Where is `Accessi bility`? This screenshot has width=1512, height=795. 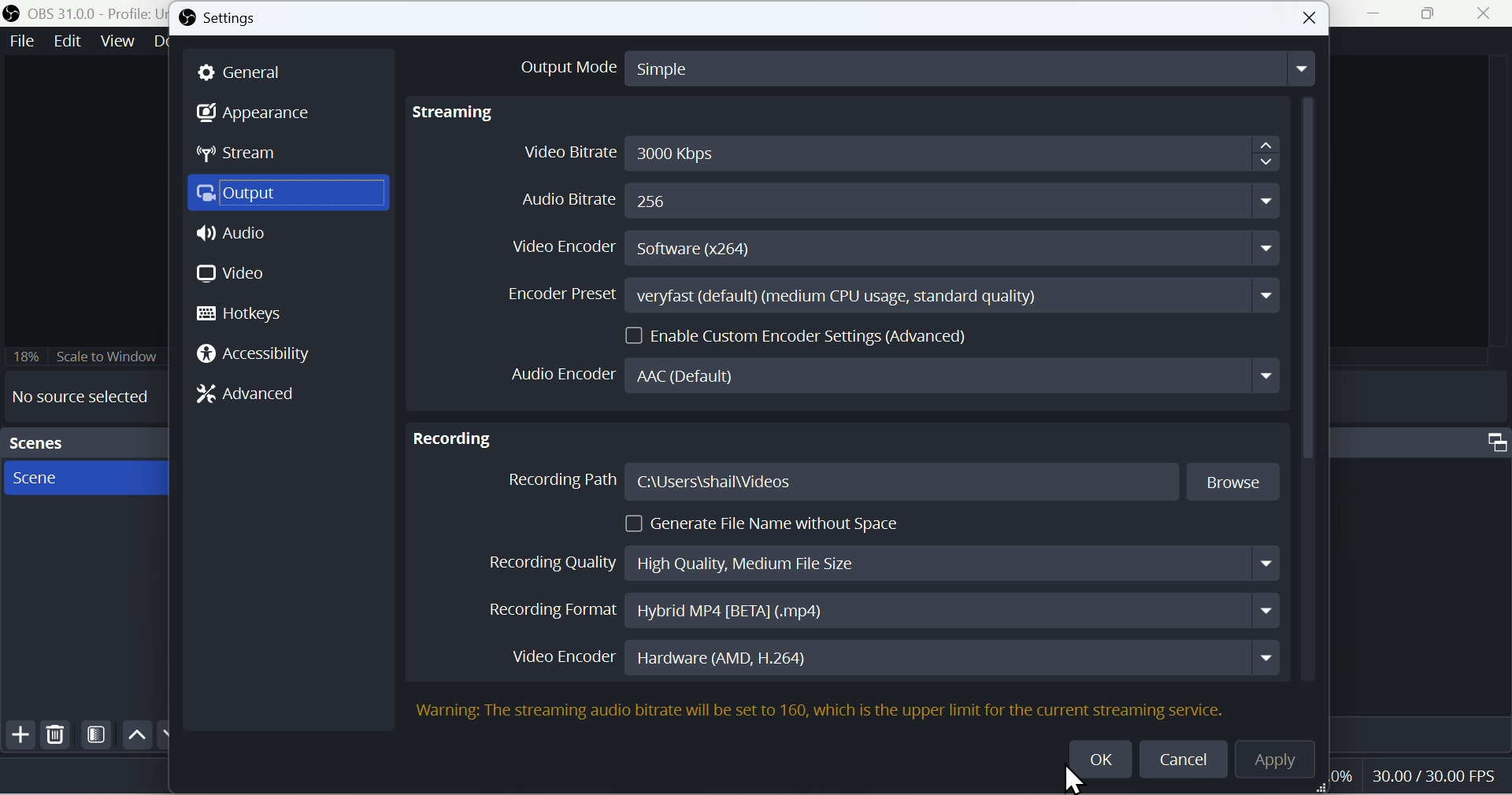 Accessi bility is located at coordinates (263, 357).